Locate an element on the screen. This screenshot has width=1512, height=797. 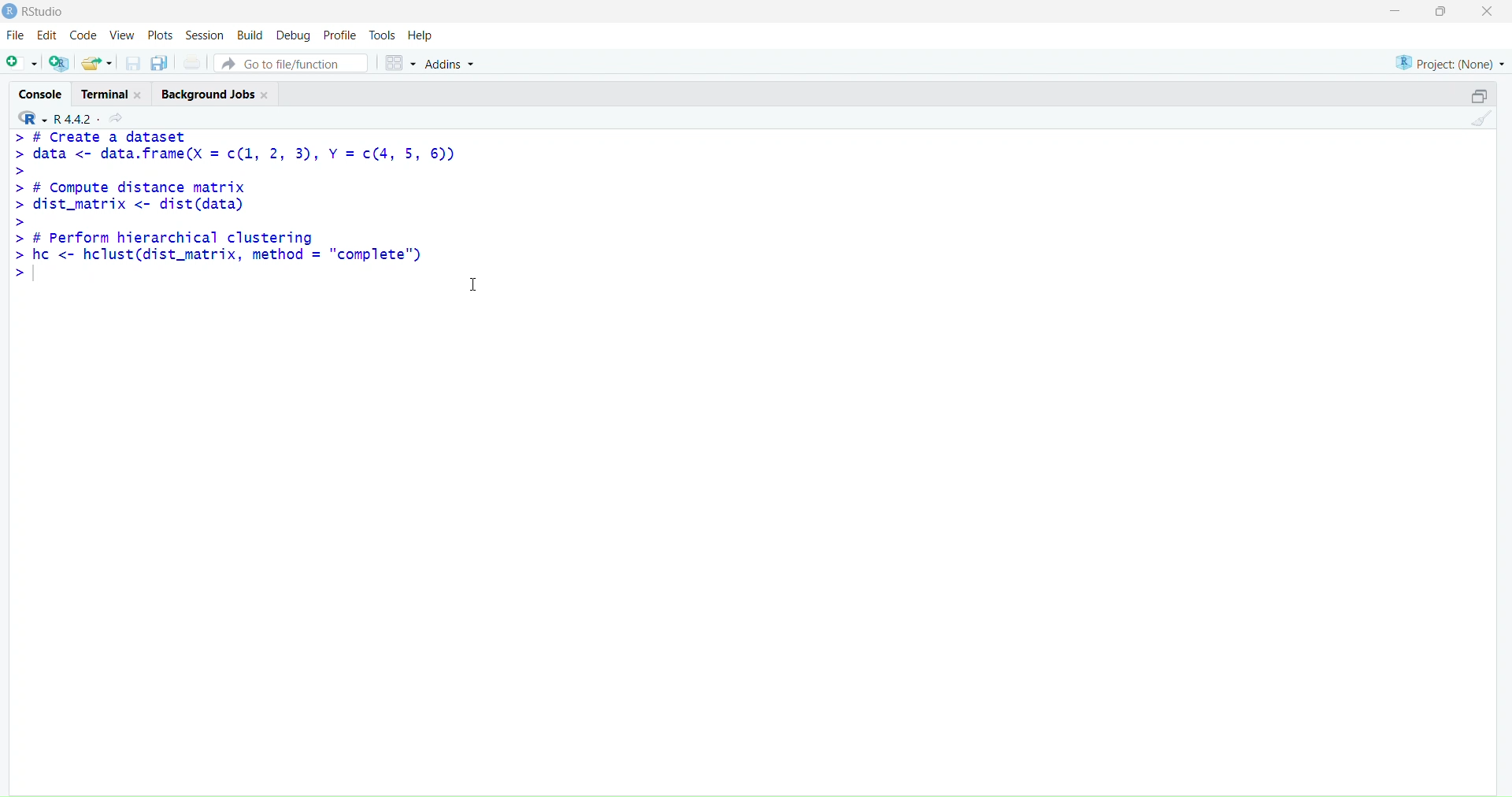
Text cursor is located at coordinates (470, 284).